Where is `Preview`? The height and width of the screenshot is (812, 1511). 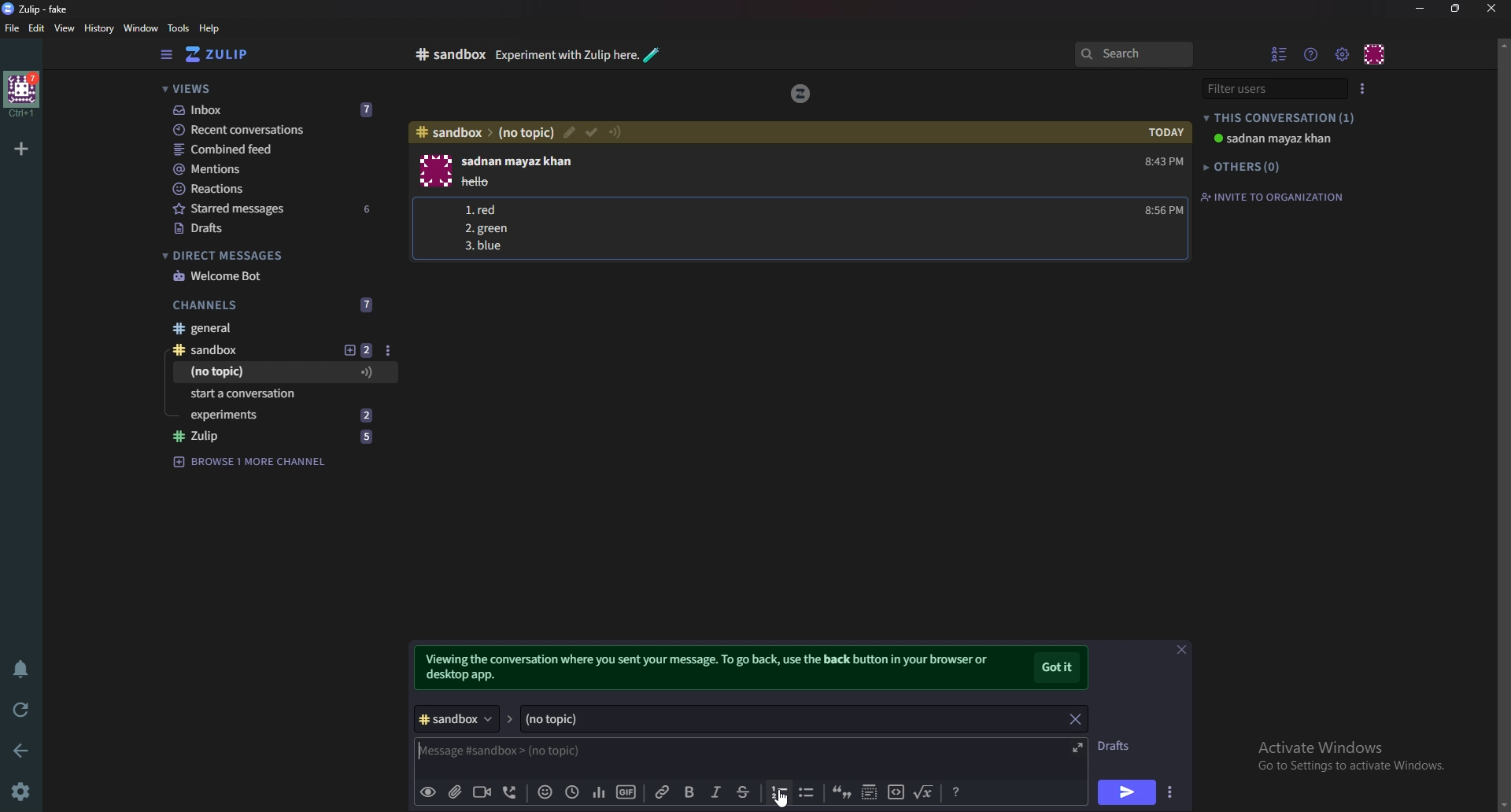 Preview is located at coordinates (428, 792).